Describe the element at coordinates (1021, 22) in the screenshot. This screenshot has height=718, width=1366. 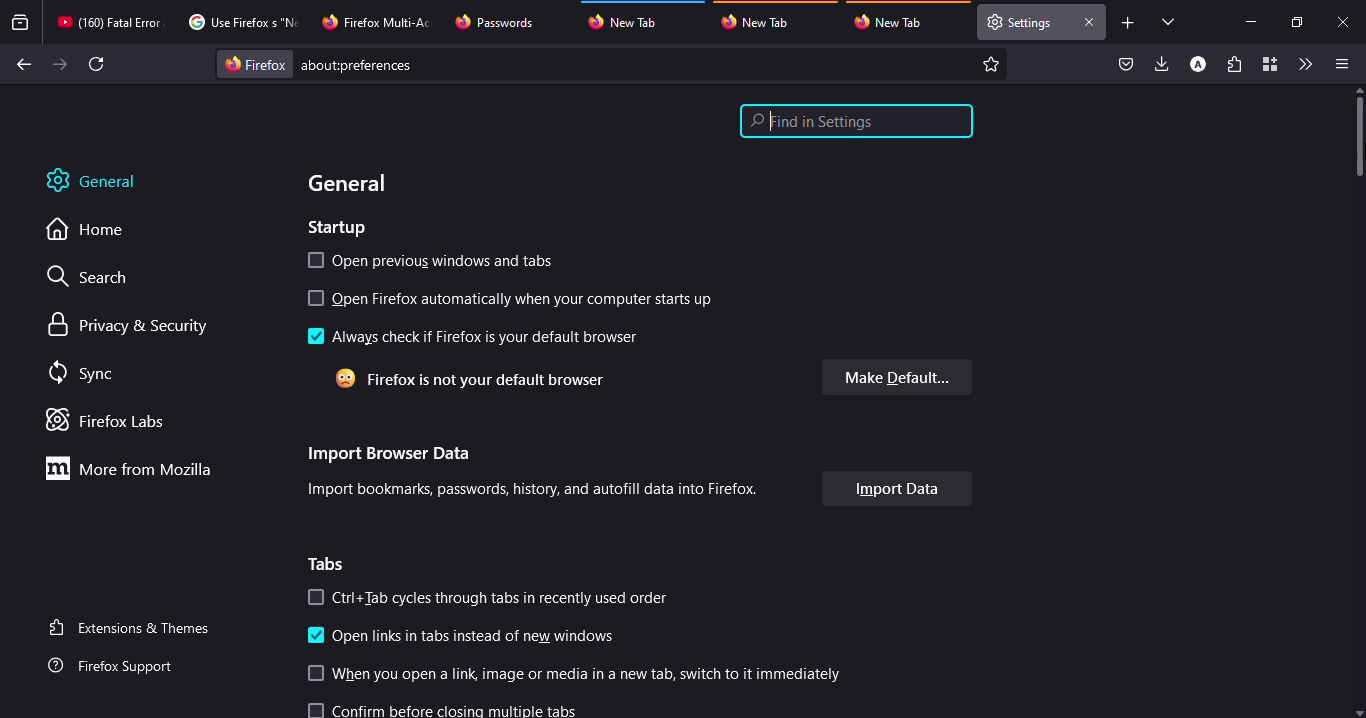
I see `tab` at that location.